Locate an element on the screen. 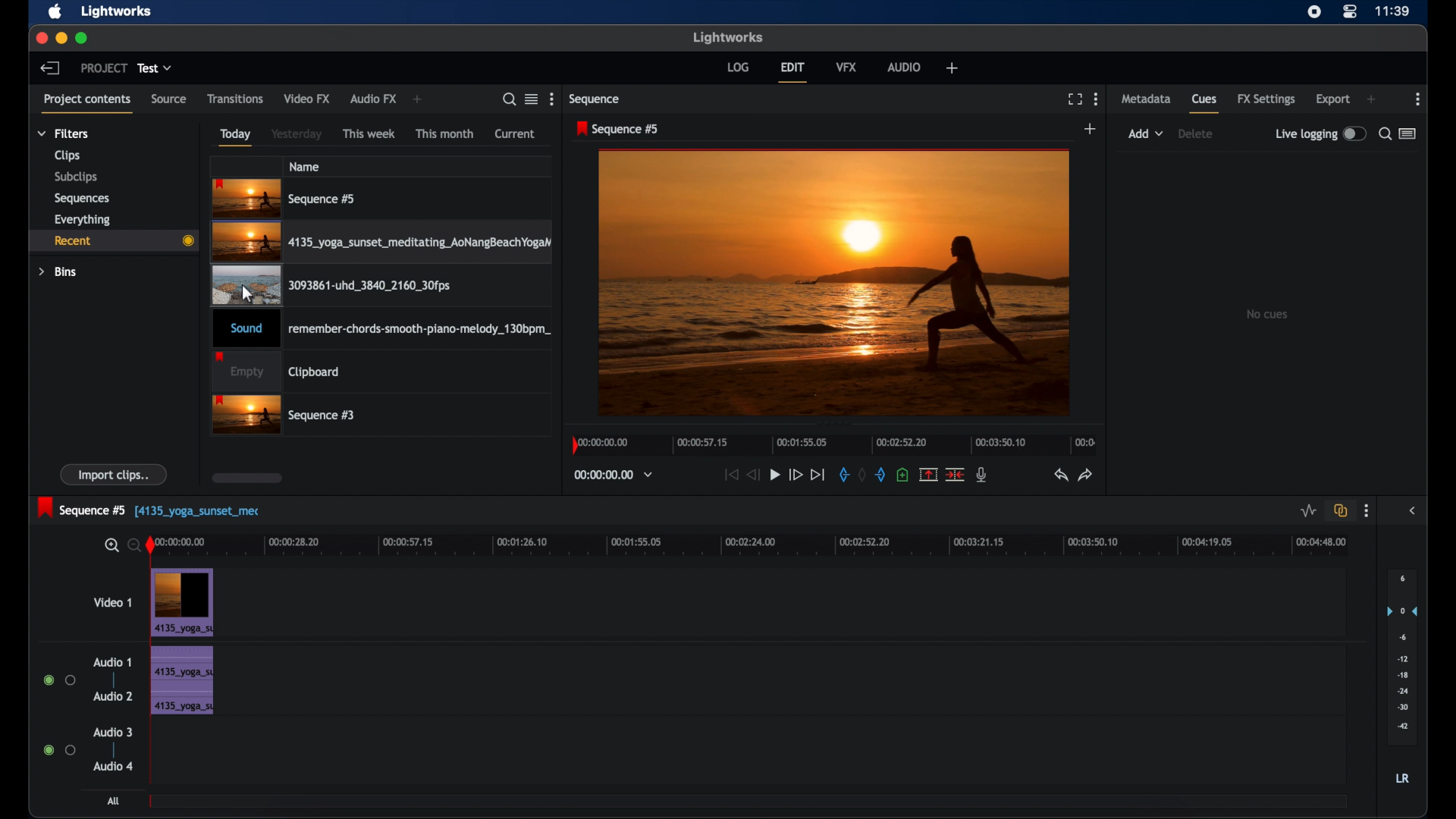 The width and height of the screenshot is (1456, 819). timeline scale is located at coordinates (758, 546).